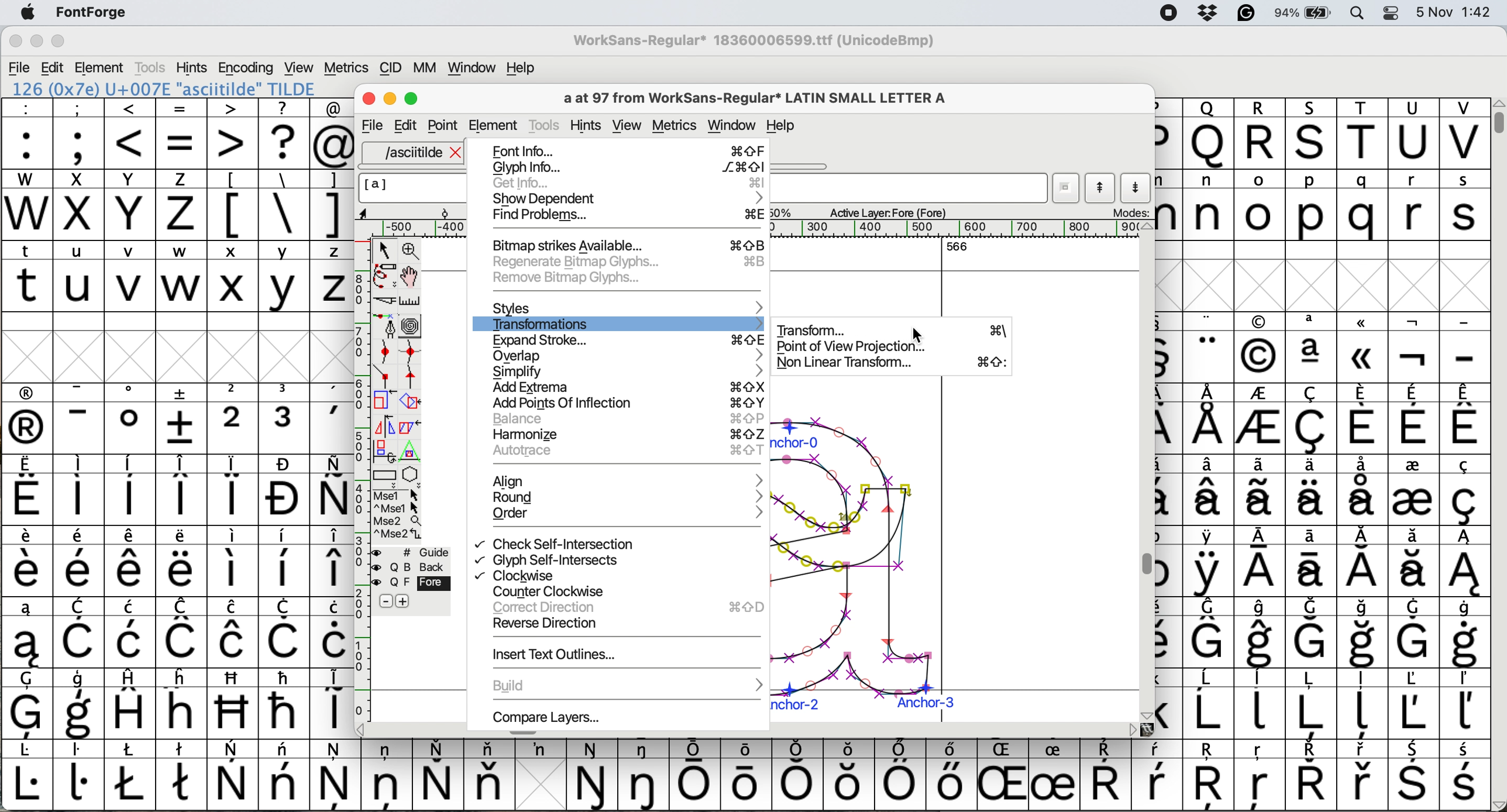 The height and width of the screenshot is (812, 1507). Describe the element at coordinates (615, 624) in the screenshot. I see `reverse direction` at that location.